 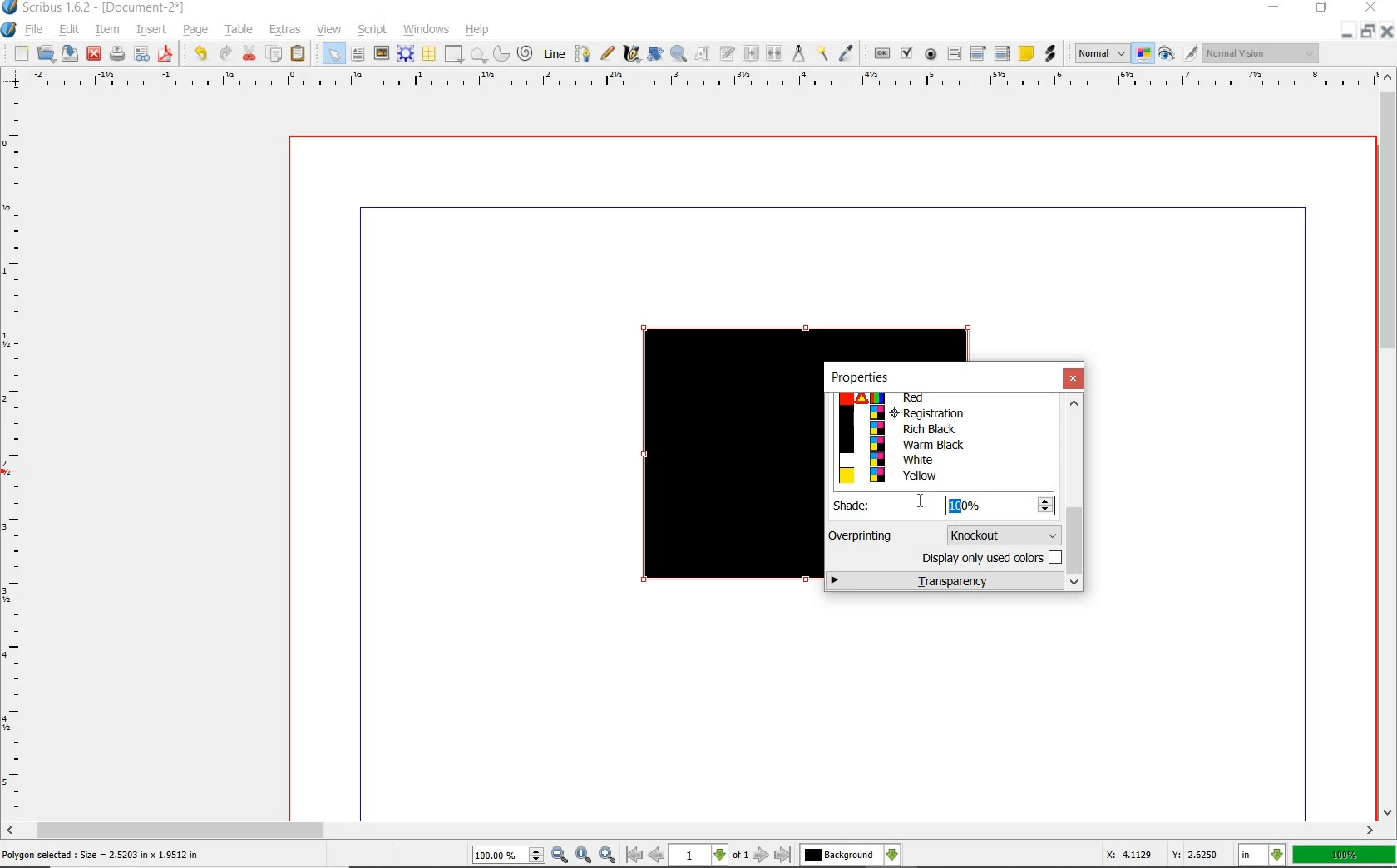 What do you see at coordinates (880, 55) in the screenshot?
I see `pdf push button` at bounding box center [880, 55].